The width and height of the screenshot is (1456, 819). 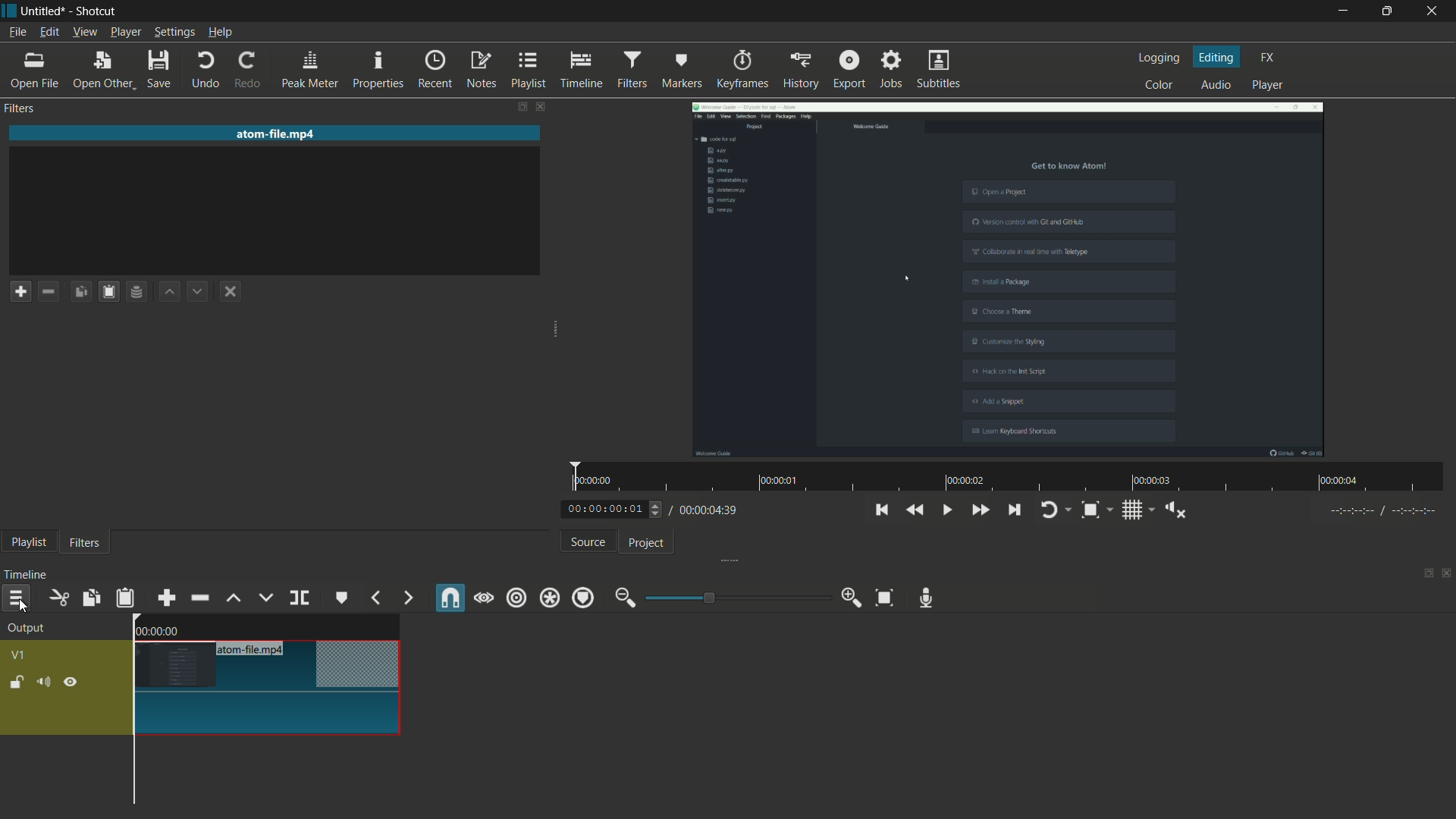 I want to click on atom-file.mp4, so click(x=256, y=650).